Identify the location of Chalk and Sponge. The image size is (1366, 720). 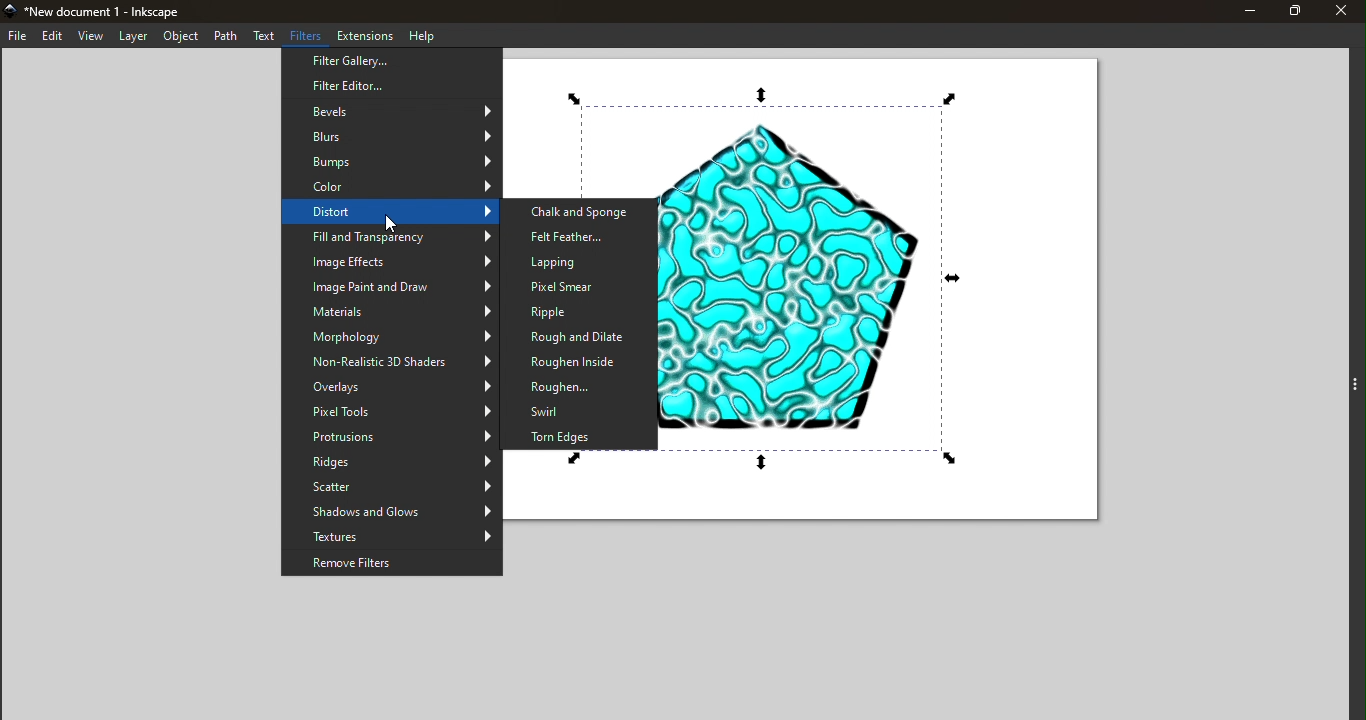
(581, 211).